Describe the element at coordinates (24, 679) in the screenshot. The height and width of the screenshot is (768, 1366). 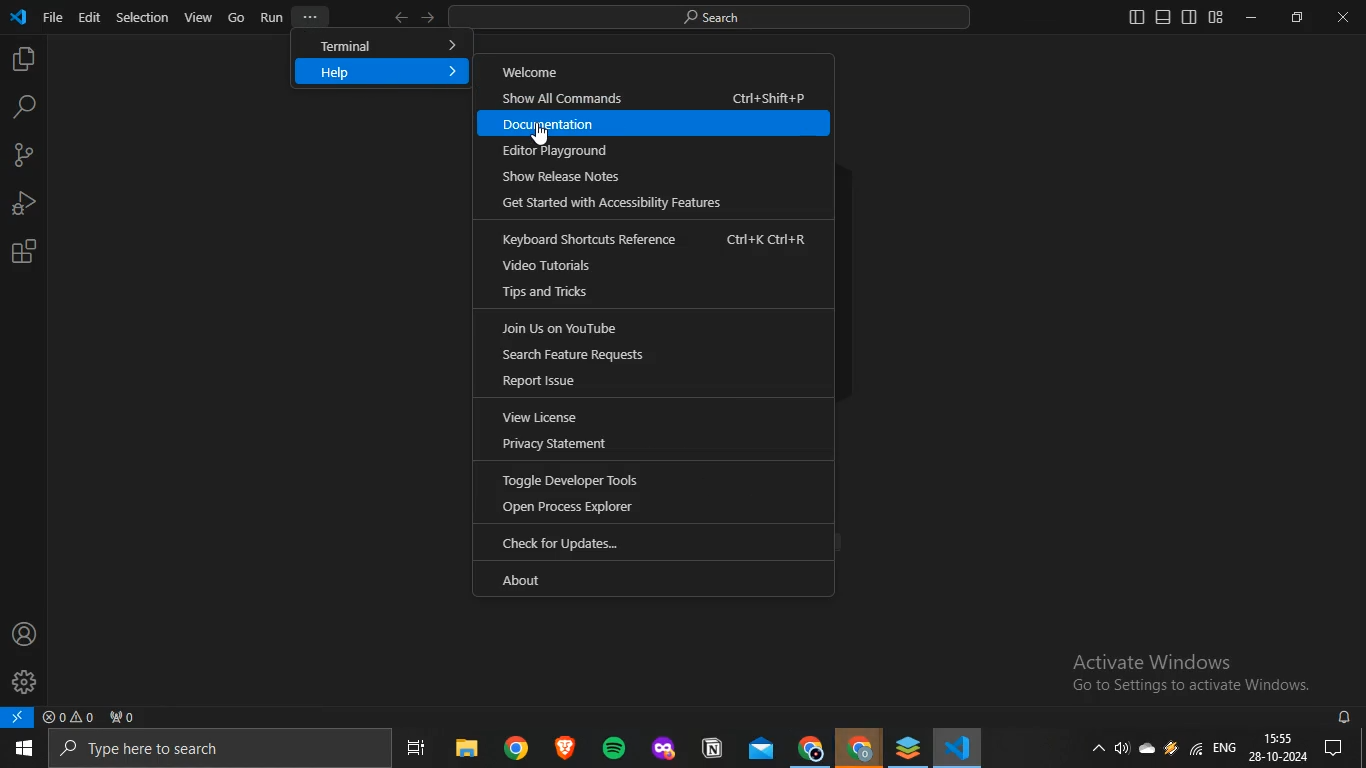
I see `manage` at that location.